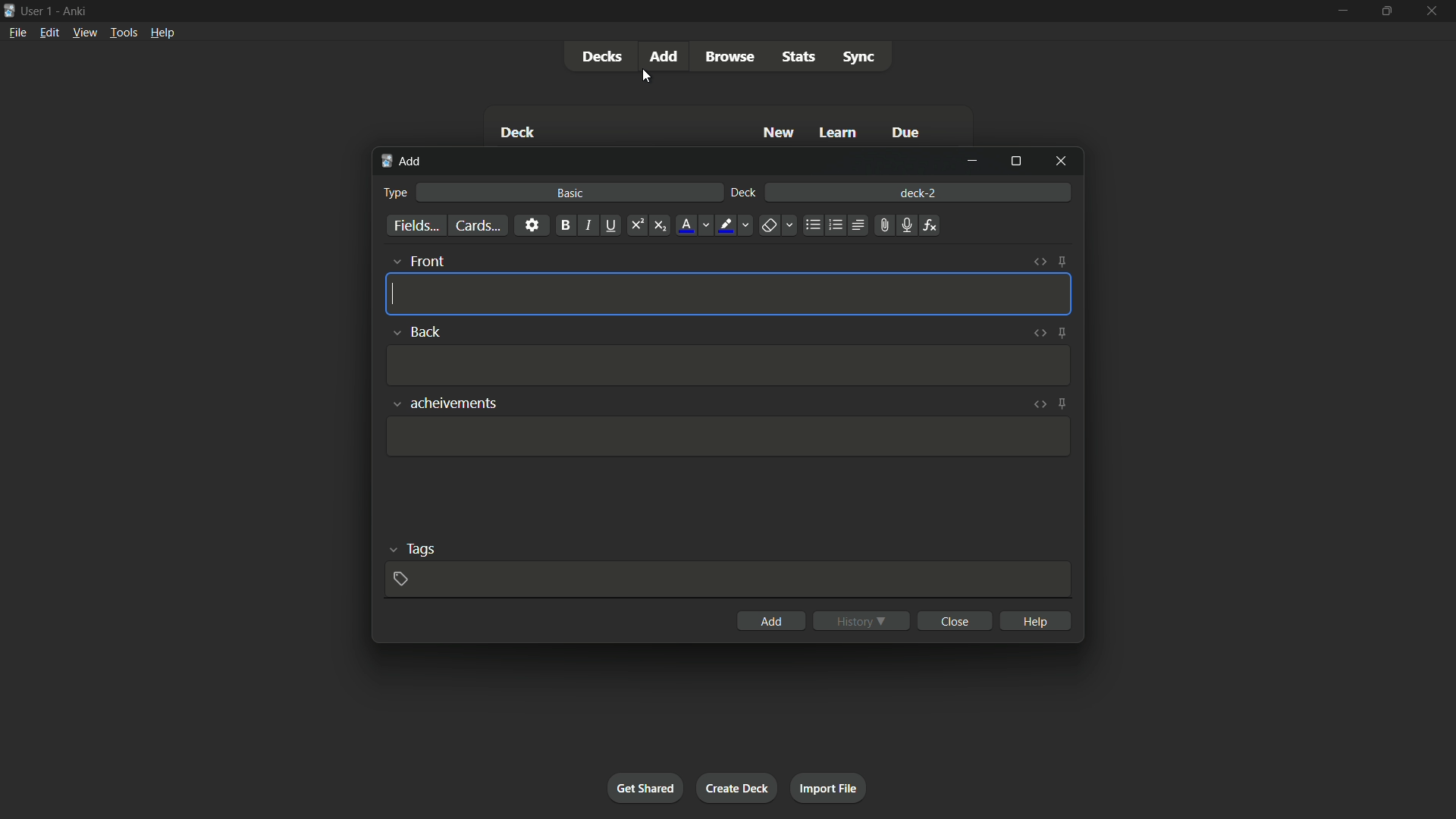  I want to click on cards, so click(479, 225).